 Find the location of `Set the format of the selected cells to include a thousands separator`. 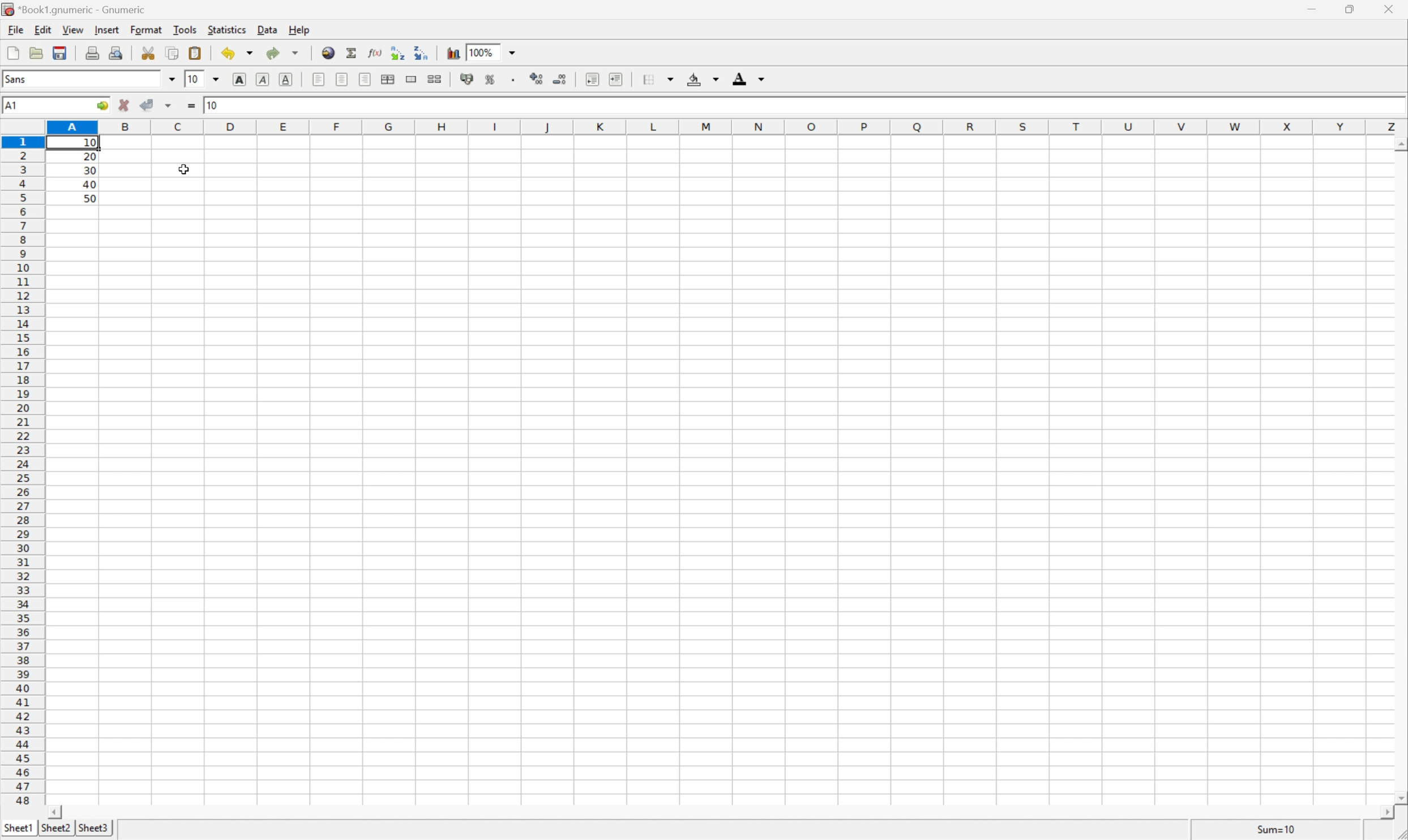

Set the format of the selected cells to include a thousands separator is located at coordinates (513, 78).